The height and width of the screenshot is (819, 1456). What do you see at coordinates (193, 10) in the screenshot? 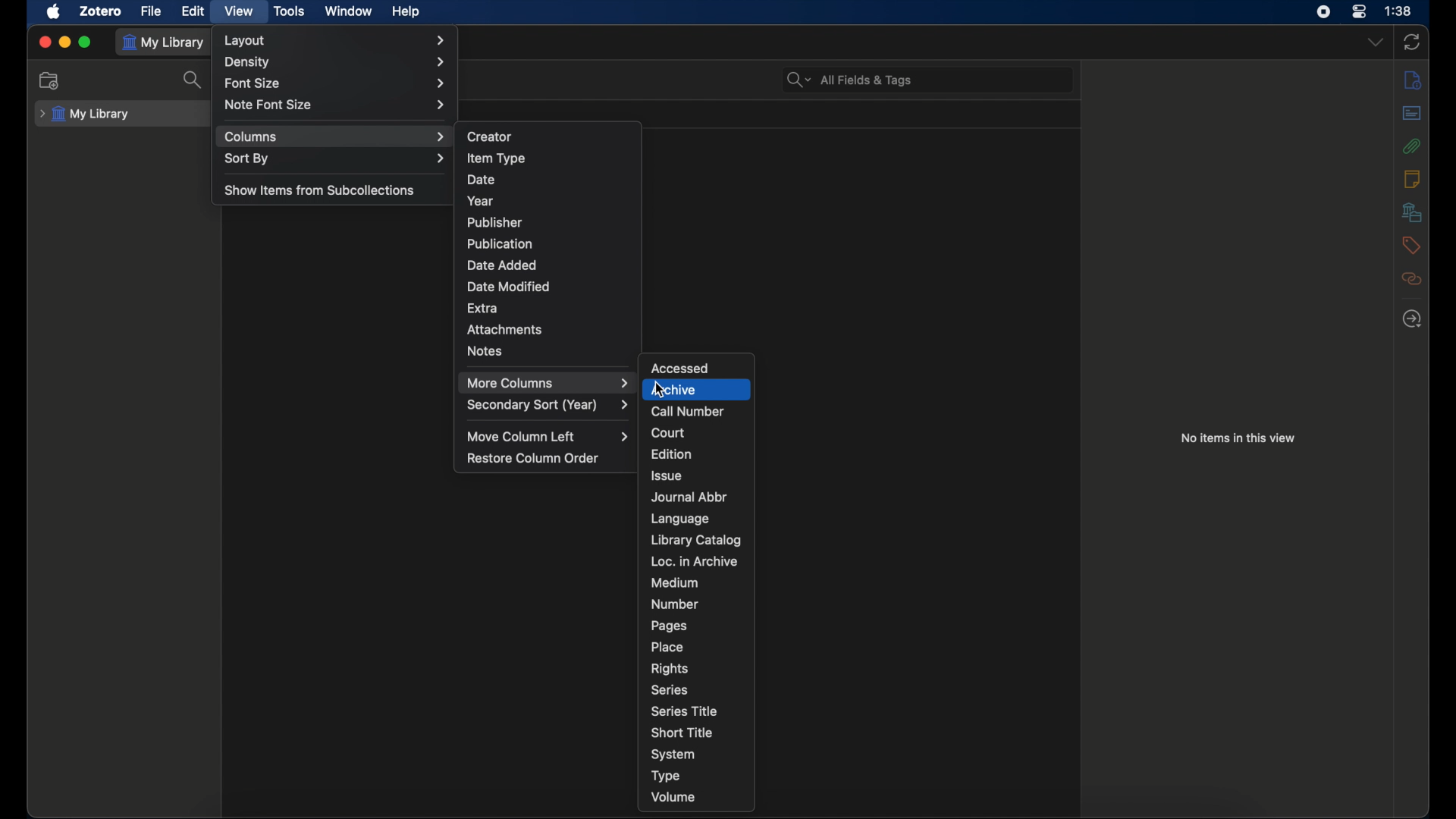
I see `edit` at bounding box center [193, 10].